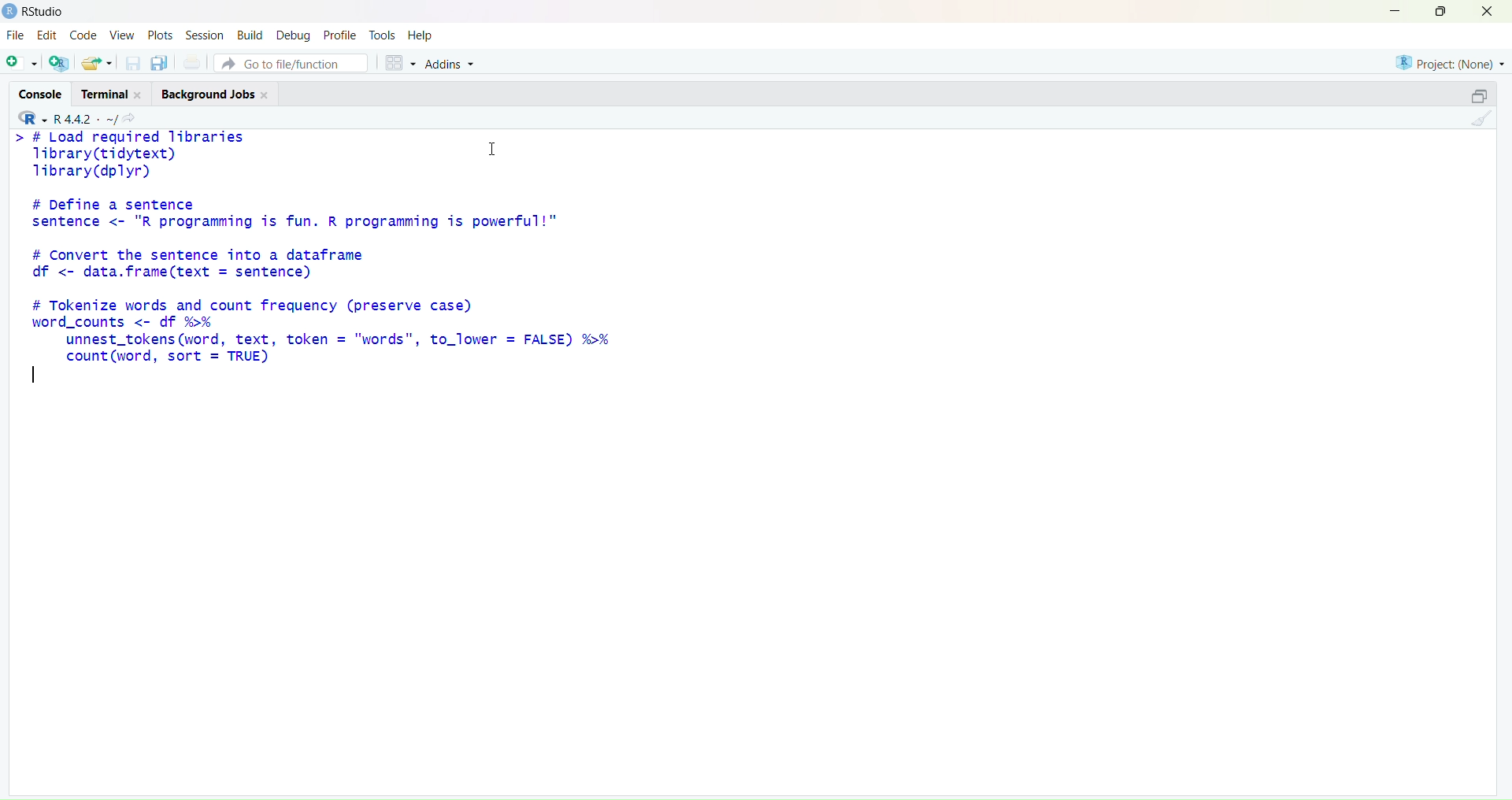 Image resolution: width=1512 pixels, height=800 pixels. I want to click on view the current working directory, so click(130, 120).